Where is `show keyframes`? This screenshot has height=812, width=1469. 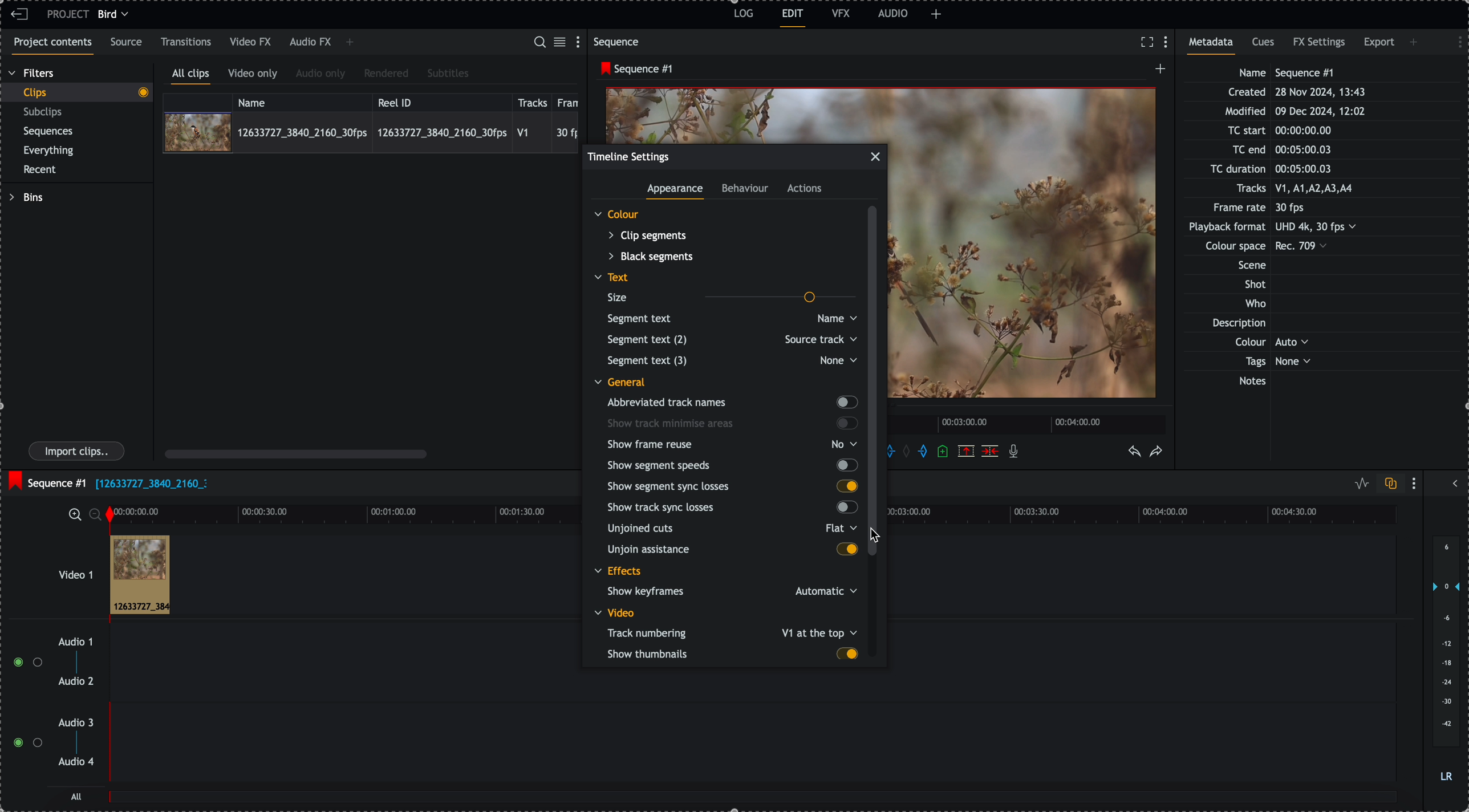
show keyframes is located at coordinates (730, 592).